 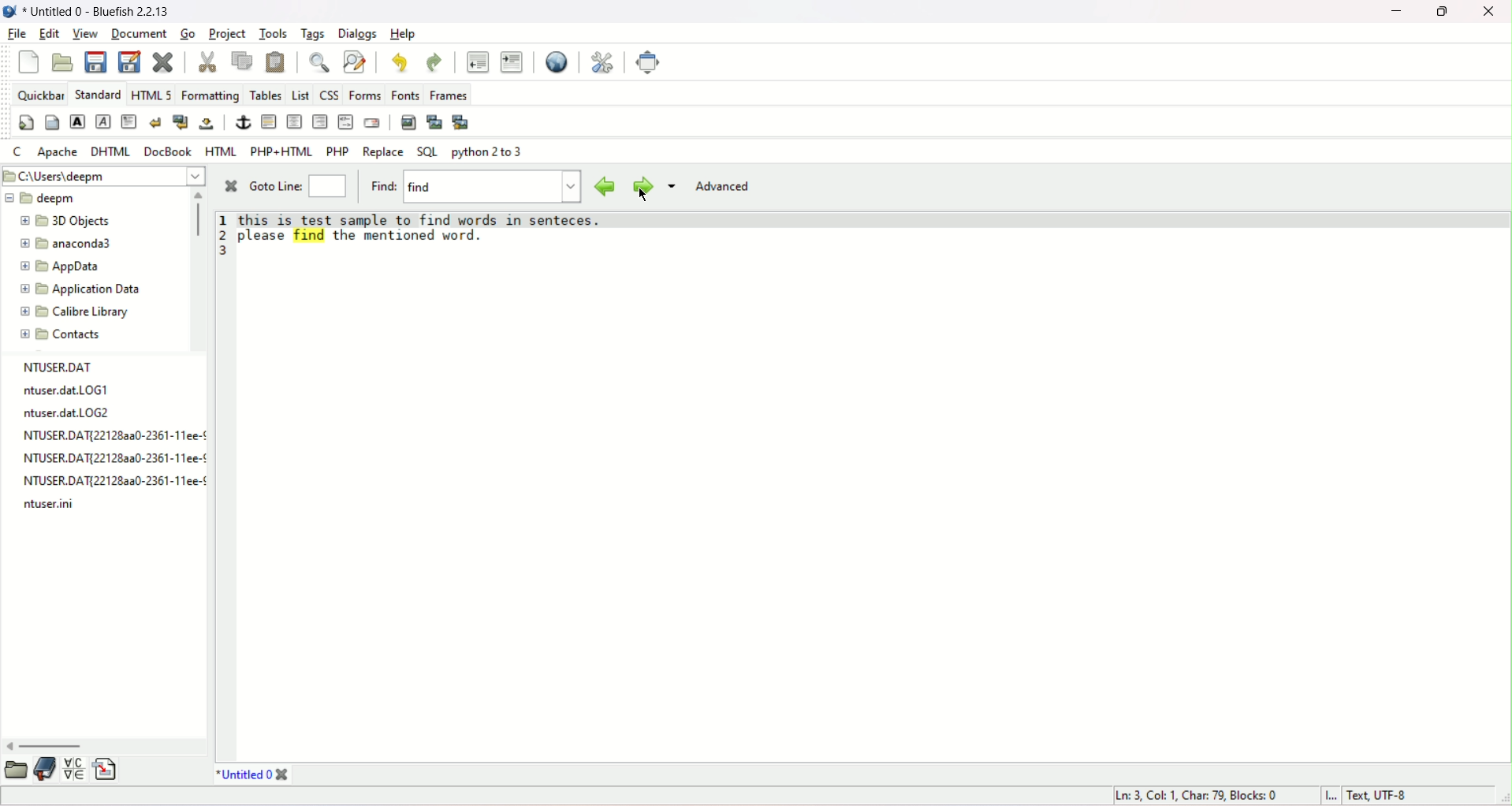 I want to click on new, so click(x=29, y=62).